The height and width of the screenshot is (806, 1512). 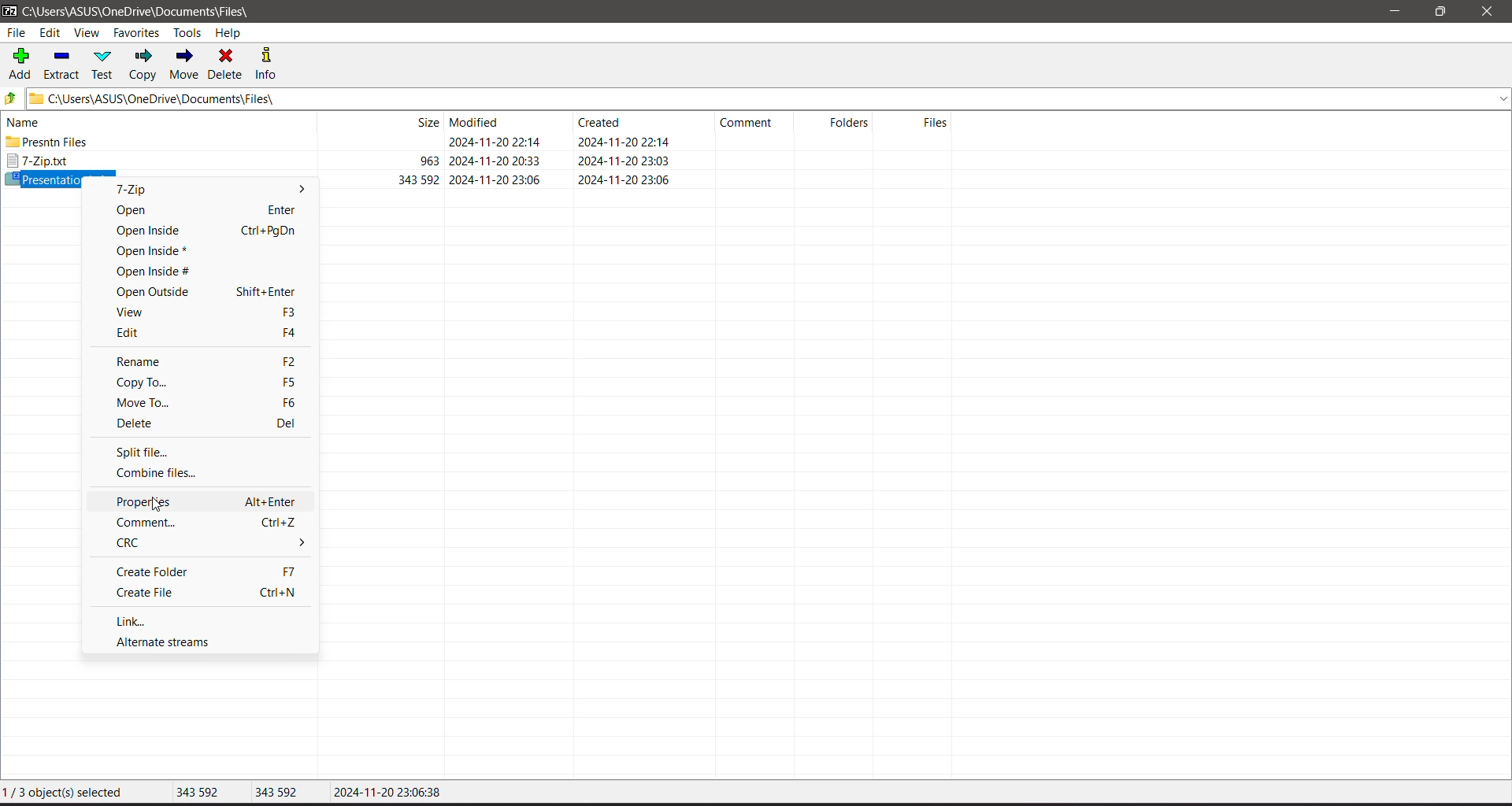 What do you see at coordinates (769, 98) in the screenshot?
I see `Current Folder Path` at bounding box center [769, 98].